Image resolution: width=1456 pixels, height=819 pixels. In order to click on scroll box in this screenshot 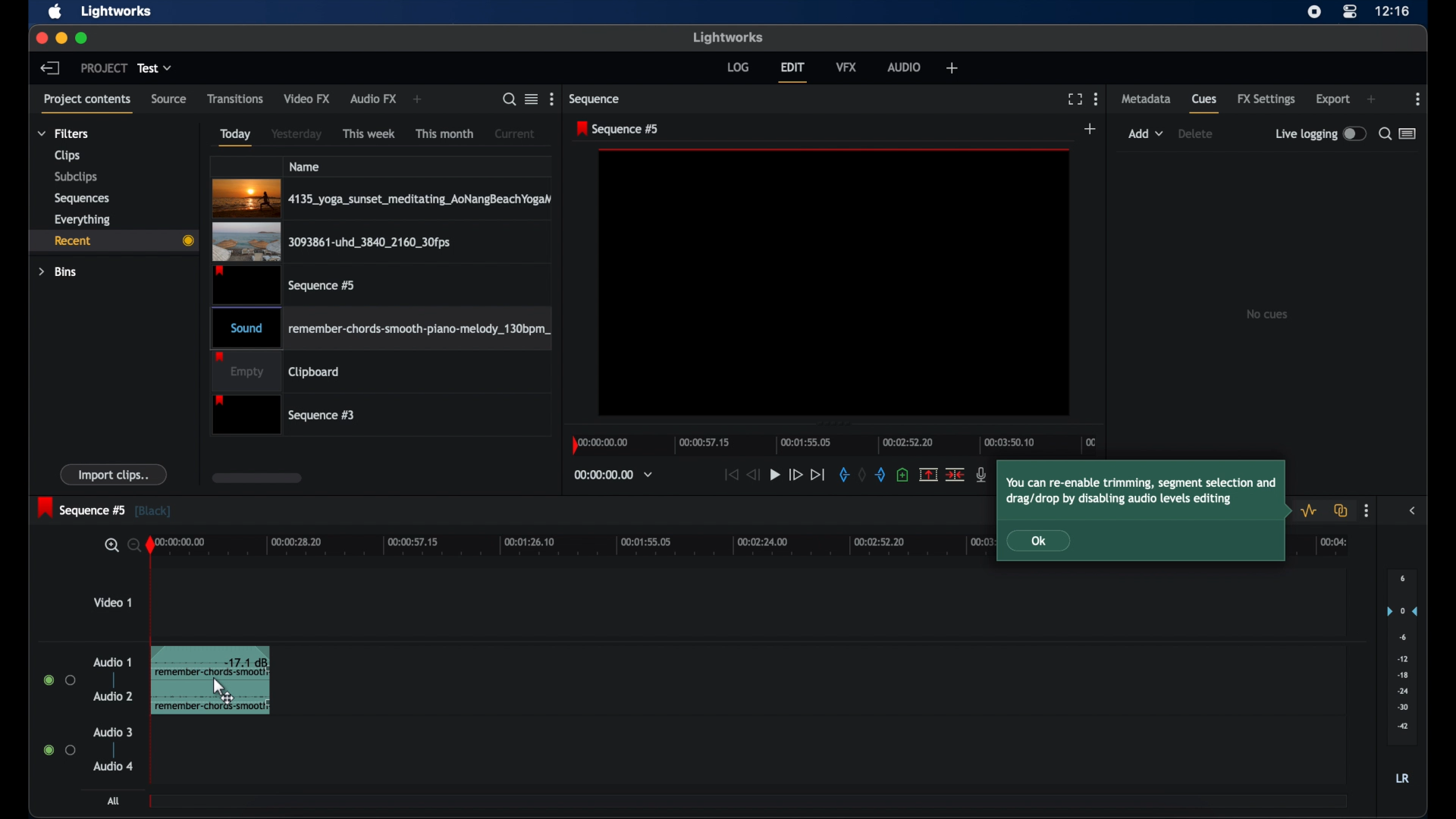, I will do `click(256, 478)`.